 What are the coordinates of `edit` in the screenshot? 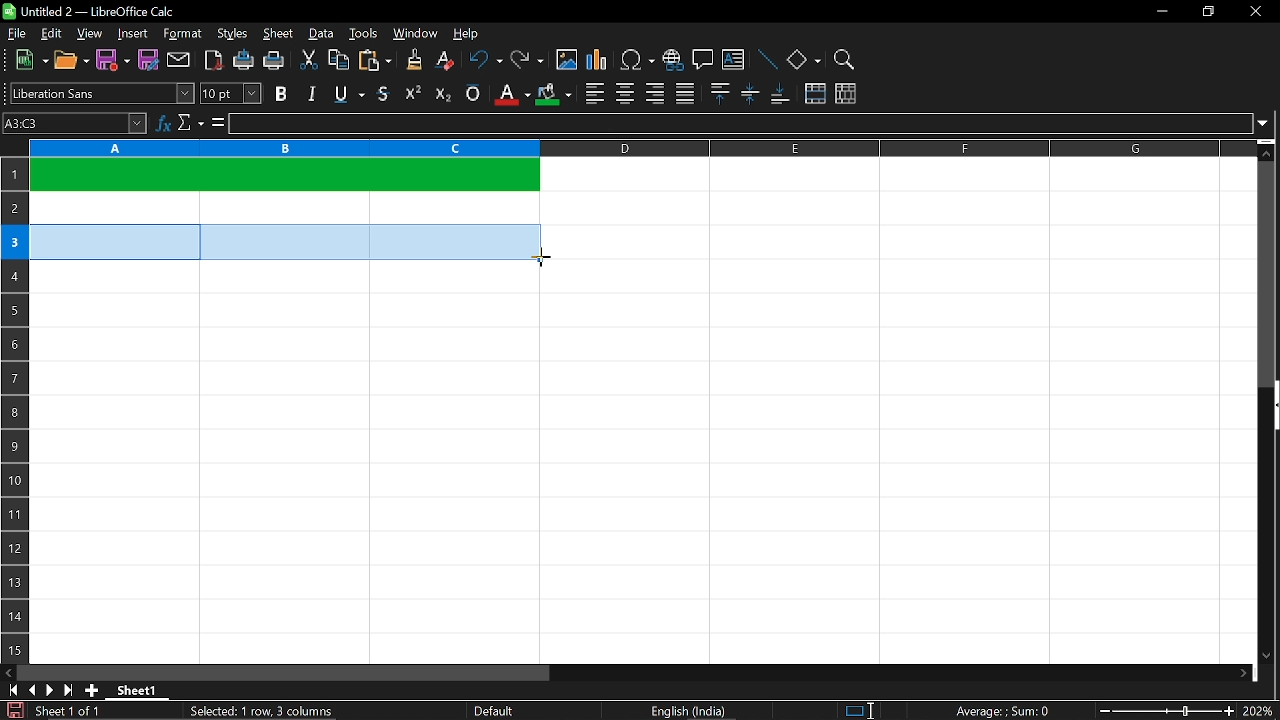 It's located at (48, 34).